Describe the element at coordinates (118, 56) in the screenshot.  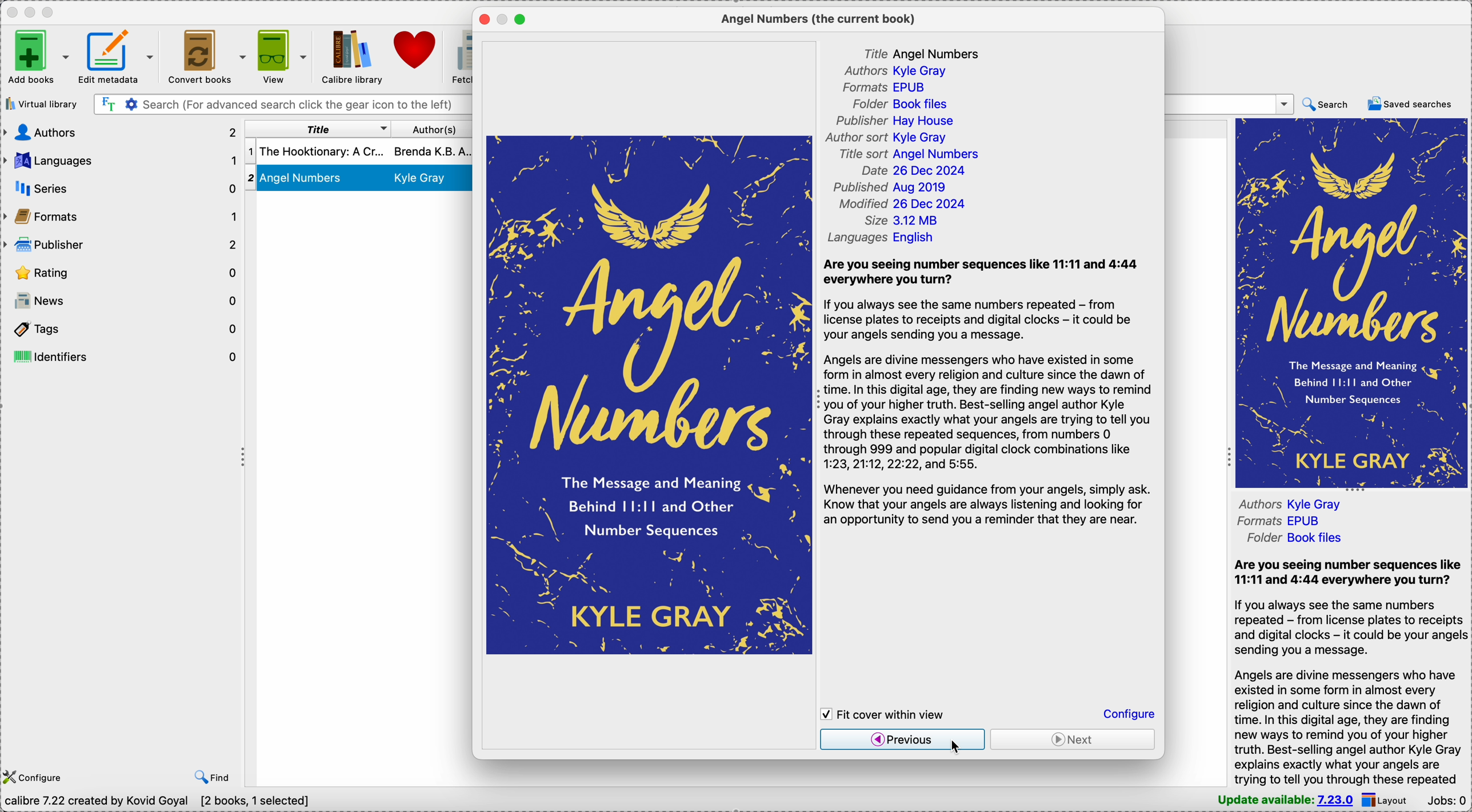
I see `edit metadata` at that location.